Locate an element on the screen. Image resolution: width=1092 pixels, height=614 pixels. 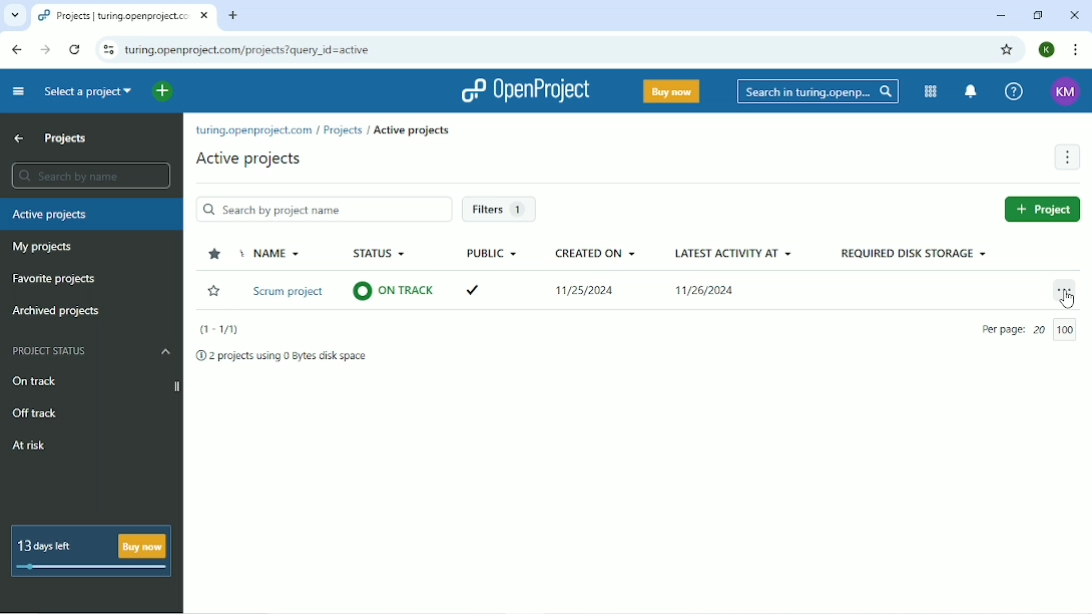
At risk is located at coordinates (29, 446).